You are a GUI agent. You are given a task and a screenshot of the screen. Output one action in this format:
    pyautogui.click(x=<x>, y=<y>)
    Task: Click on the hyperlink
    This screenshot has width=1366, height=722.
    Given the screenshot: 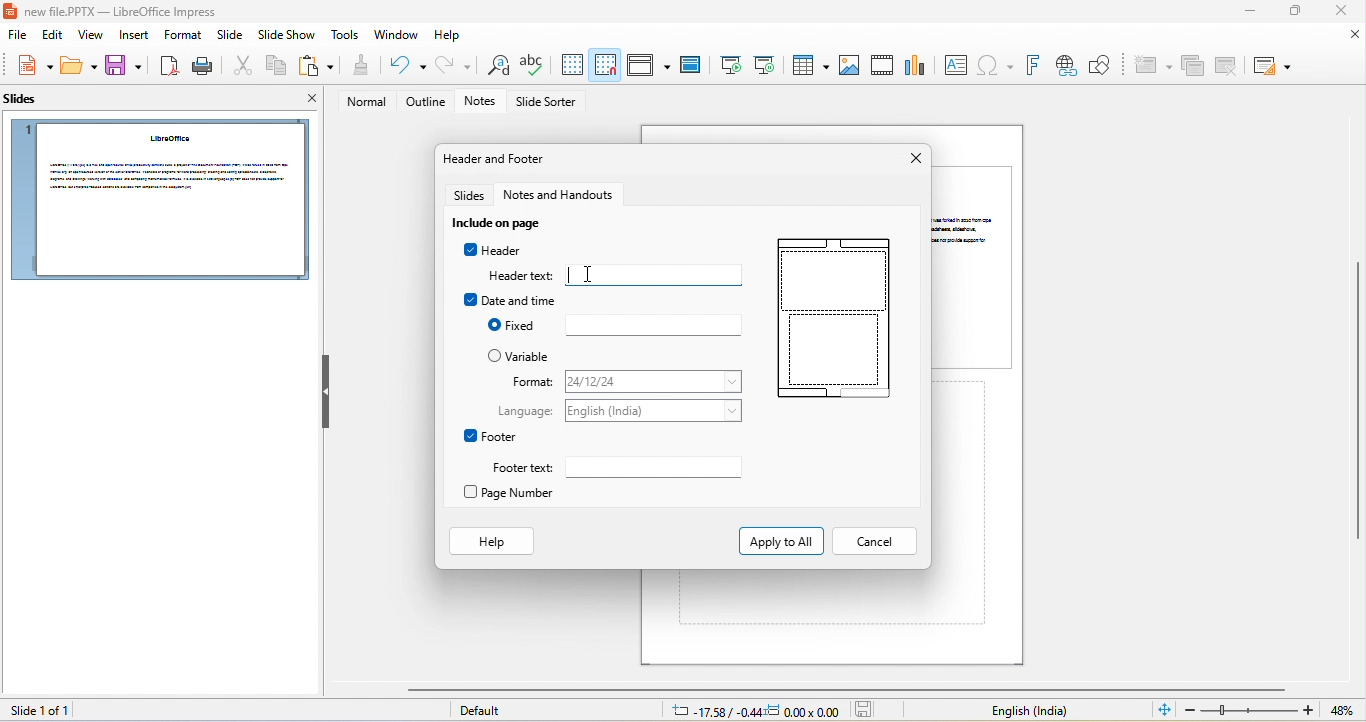 What is the action you would take?
    pyautogui.click(x=1065, y=66)
    